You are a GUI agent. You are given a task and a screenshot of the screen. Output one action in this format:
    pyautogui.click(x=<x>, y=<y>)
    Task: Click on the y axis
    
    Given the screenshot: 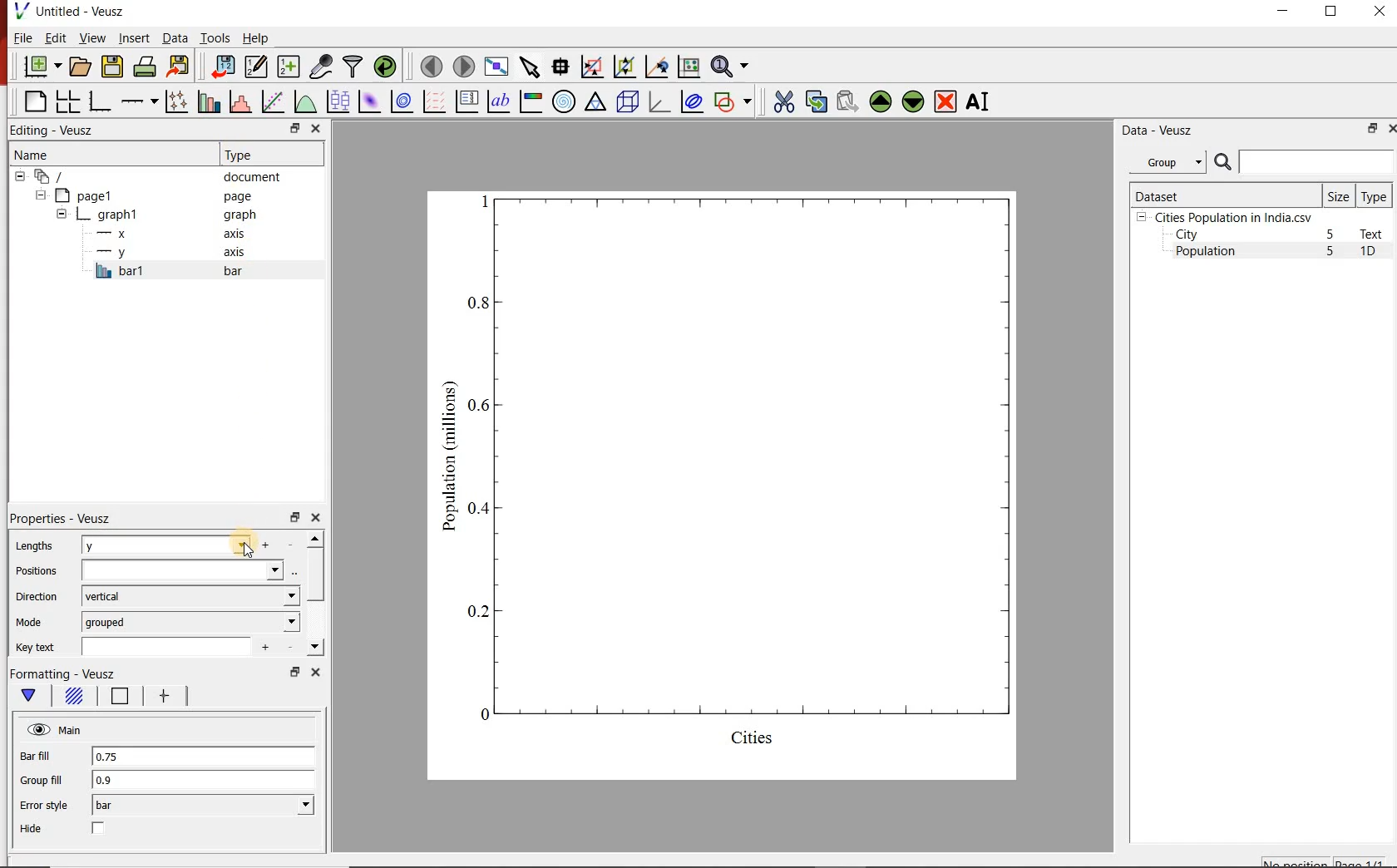 What is the action you would take?
    pyautogui.click(x=174, y=253)
    